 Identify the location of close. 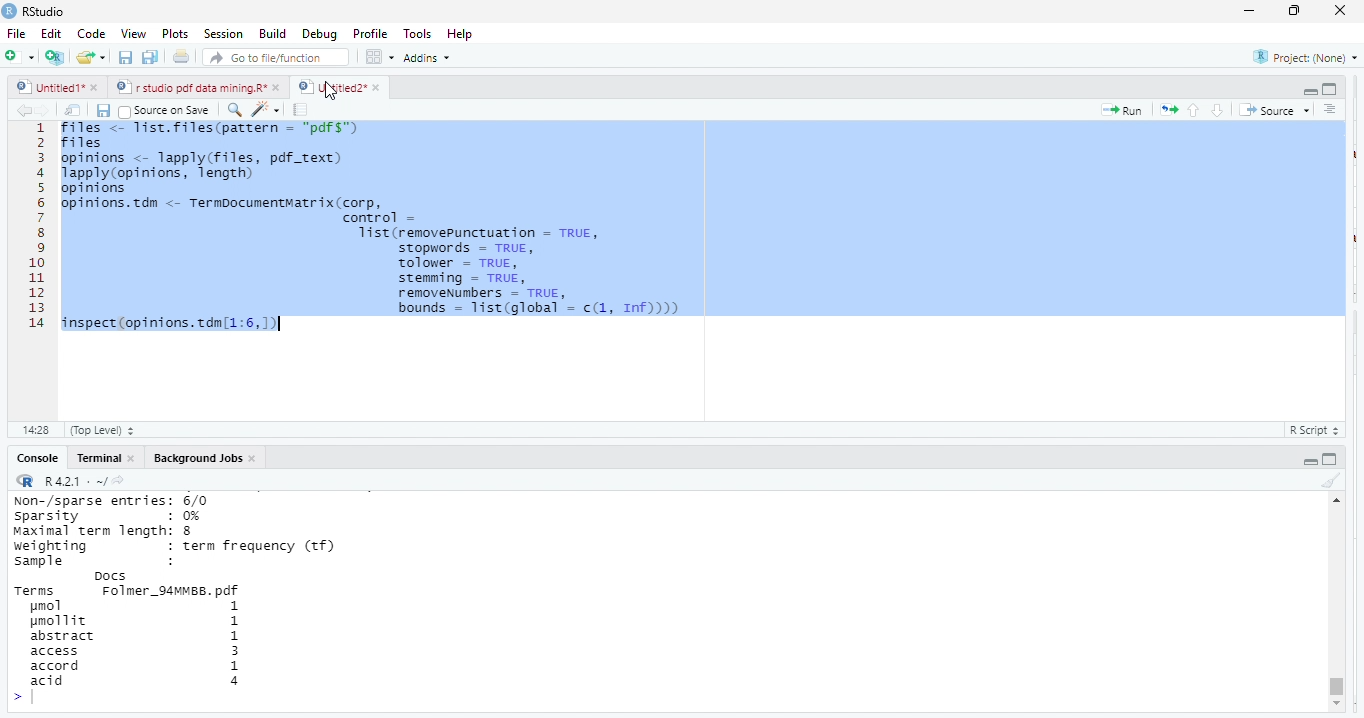
(132, 458).